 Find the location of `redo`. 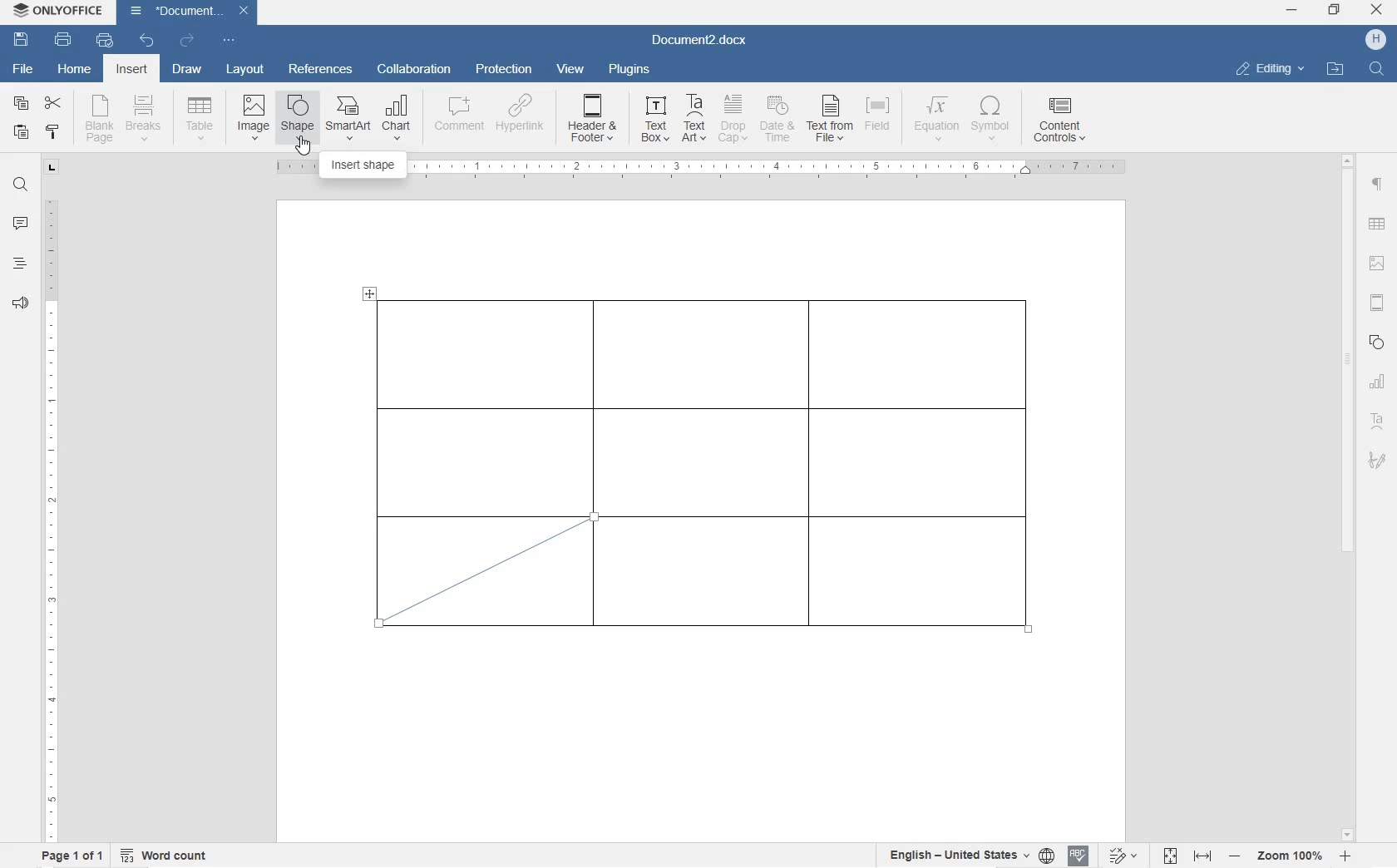

redo is located at coordinates (187, 42).